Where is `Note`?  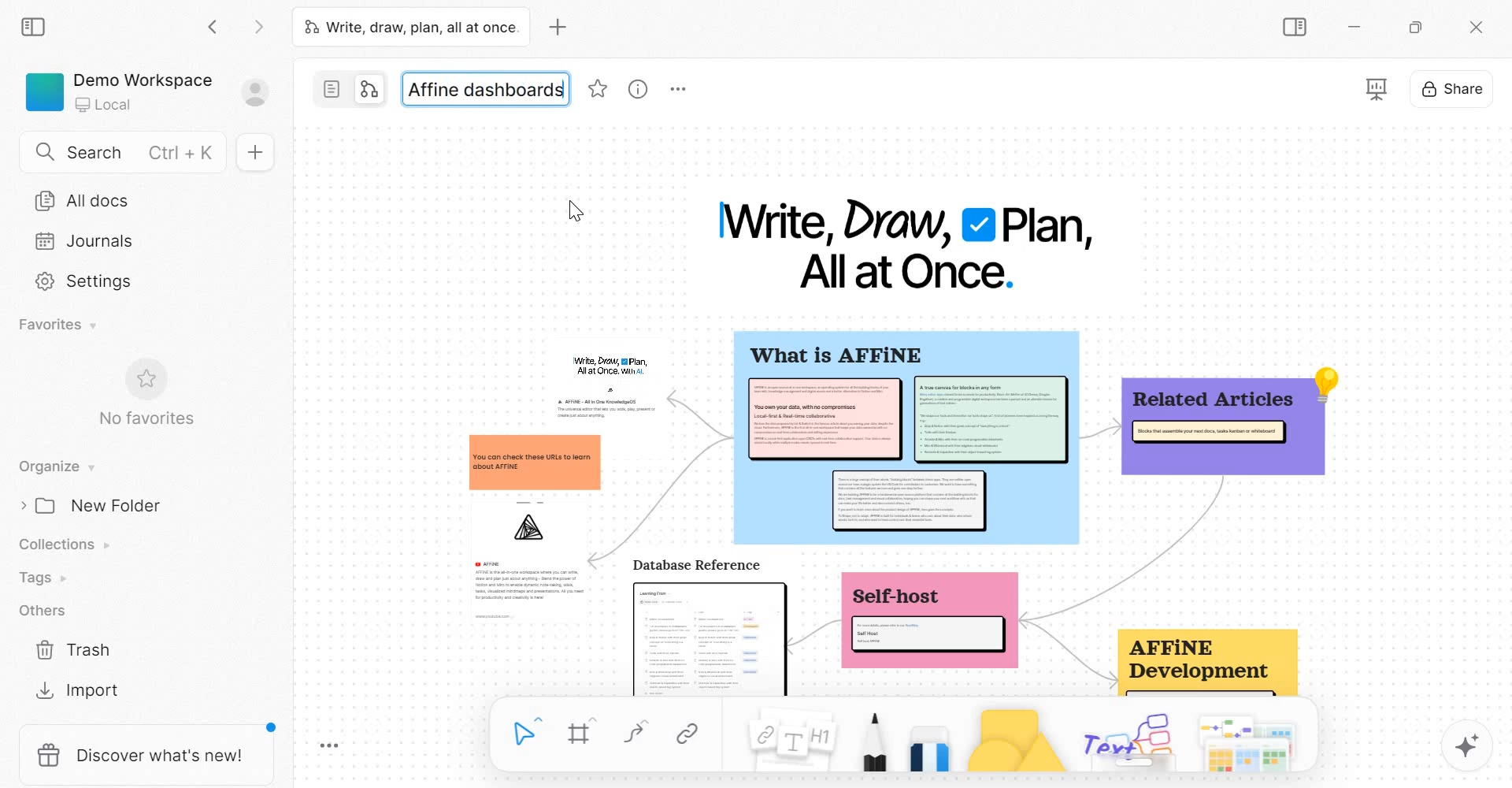 Note is located at coordinates (787, 740).